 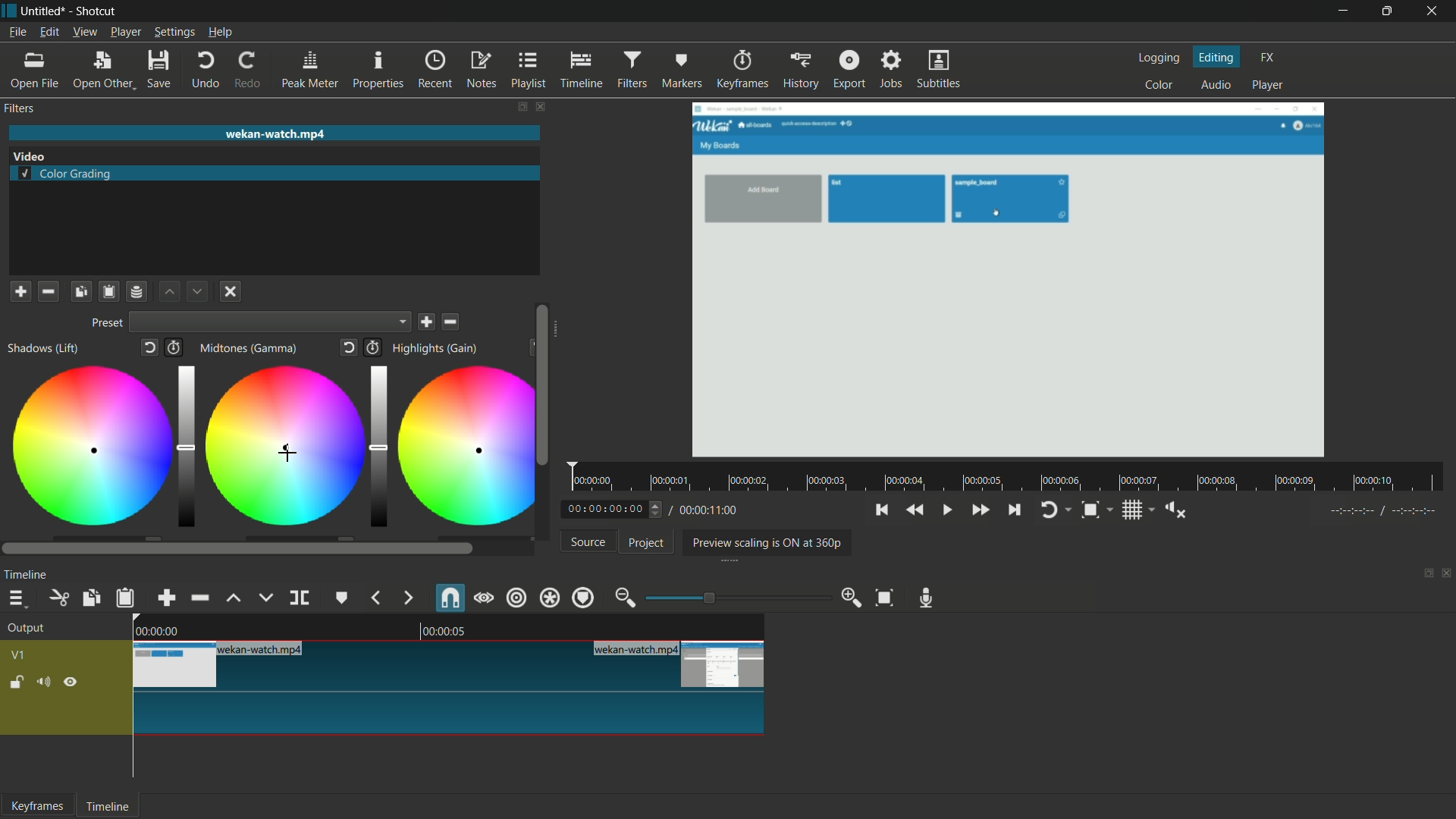 I want to click on timeline, so click(x=582, y=71).